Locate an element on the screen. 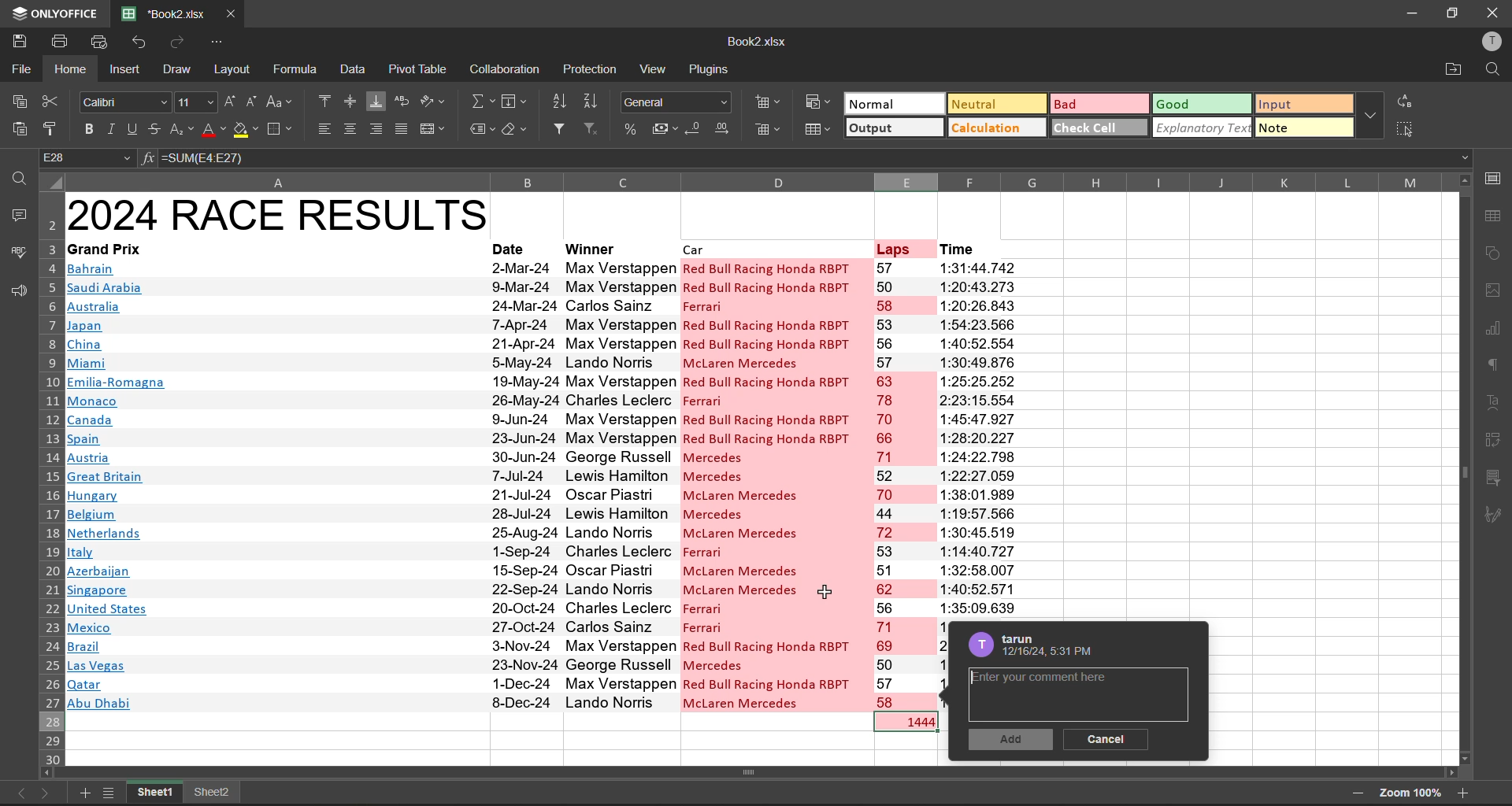  2024 race results is located at coordinates (280, 214).